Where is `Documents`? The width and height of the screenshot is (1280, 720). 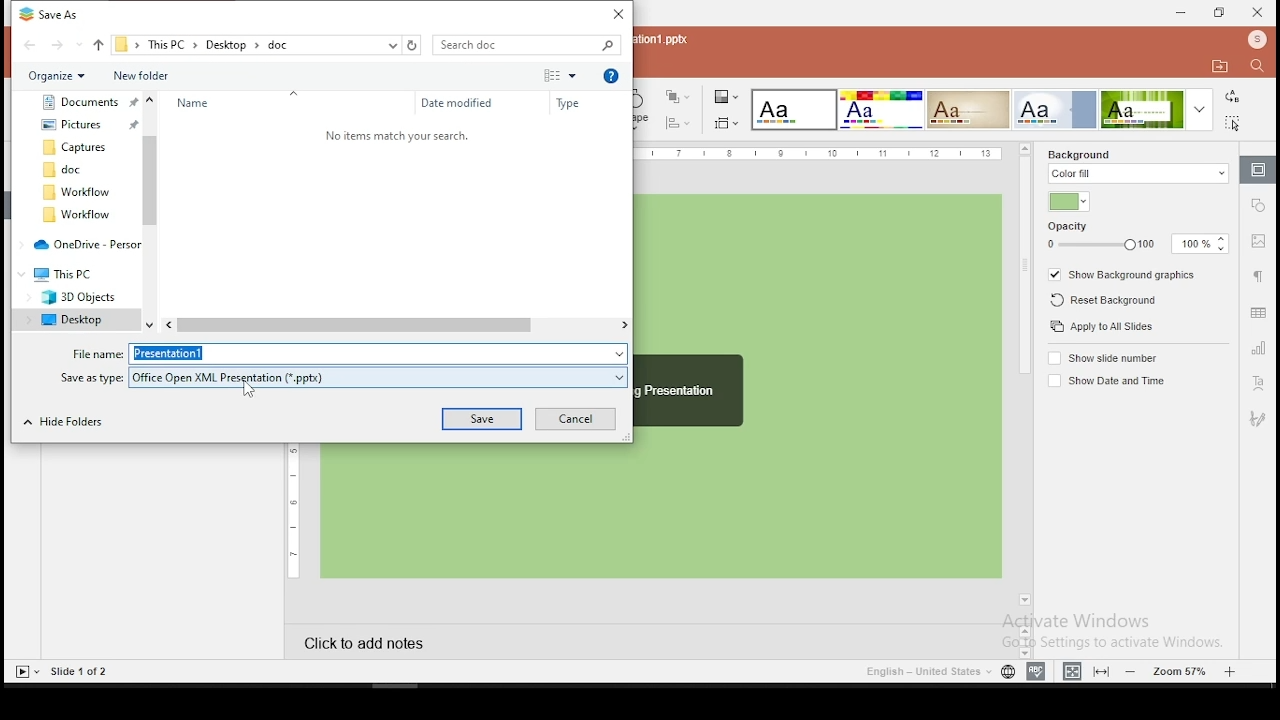
Documents is located at coordinates (85, 101).